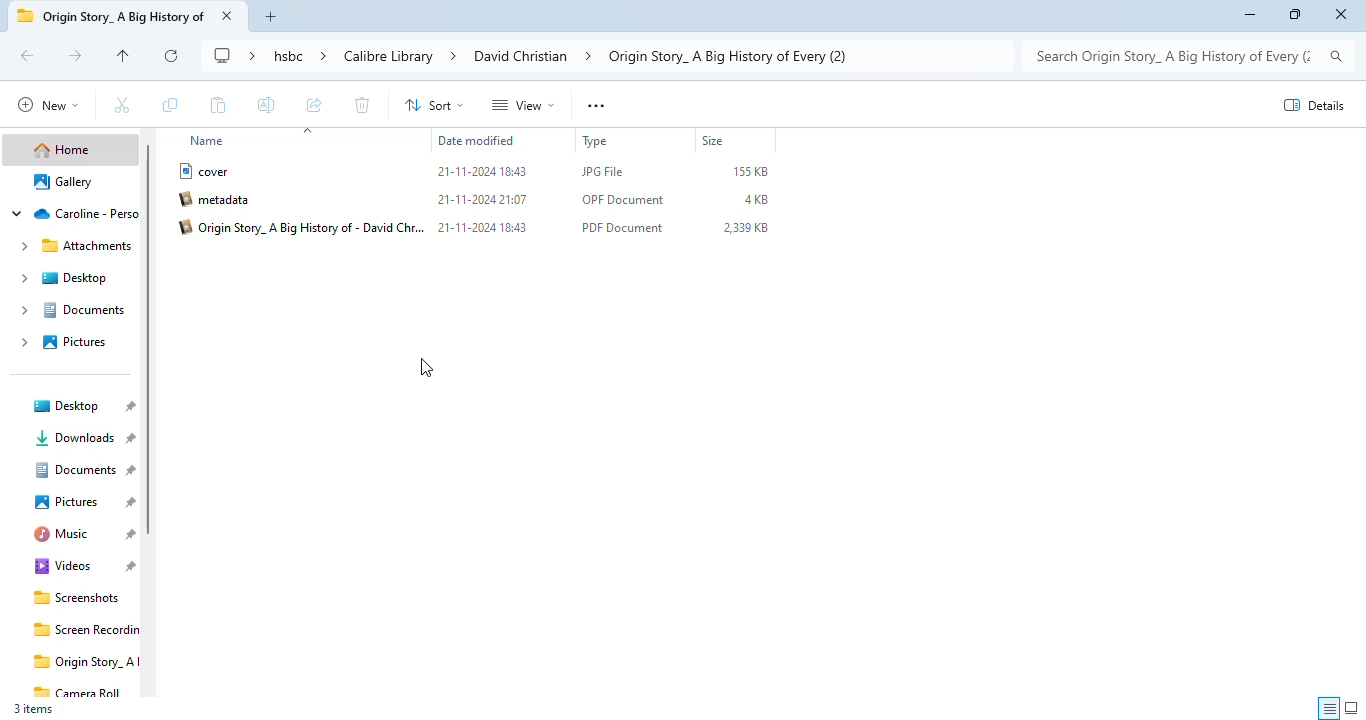 This screenshot has height=720, width=1366. What do you see at coordinates (219, 105) in the screenshot?
I see `paste` at bounding box center [219, 105].